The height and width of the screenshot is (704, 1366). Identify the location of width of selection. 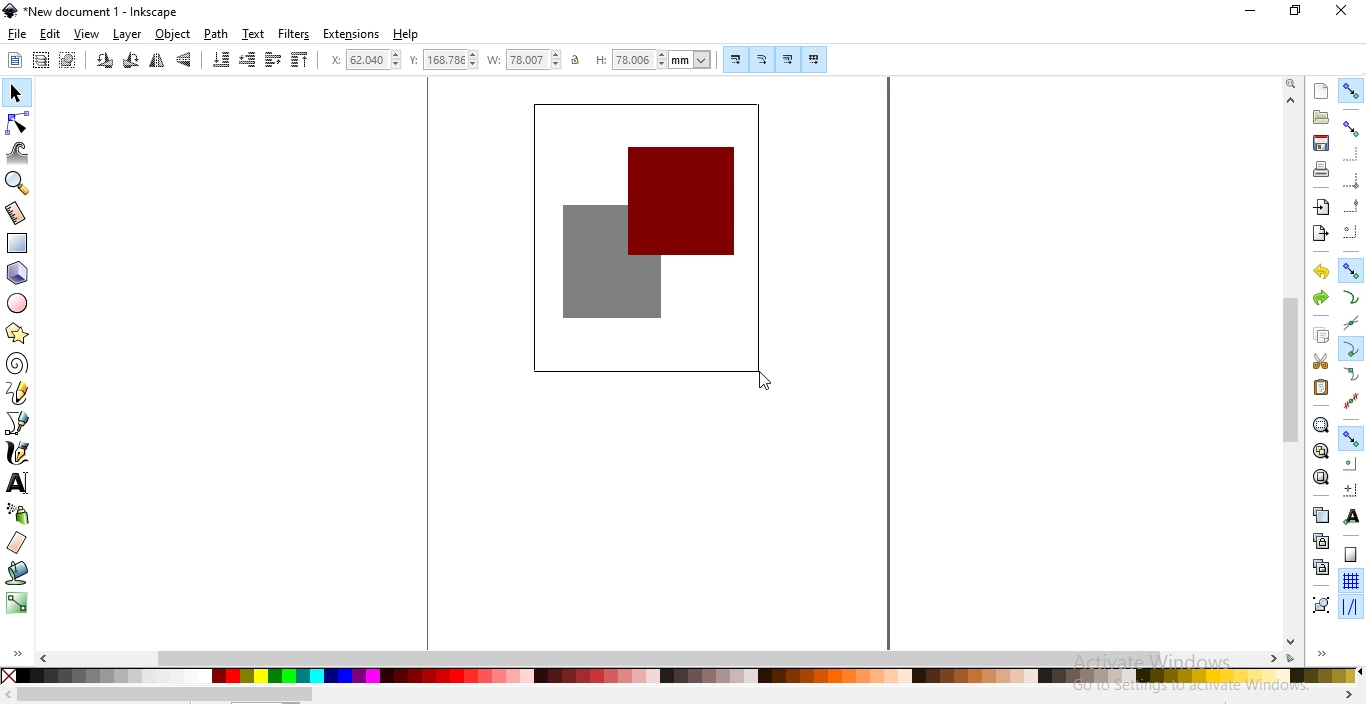
(526, 60).